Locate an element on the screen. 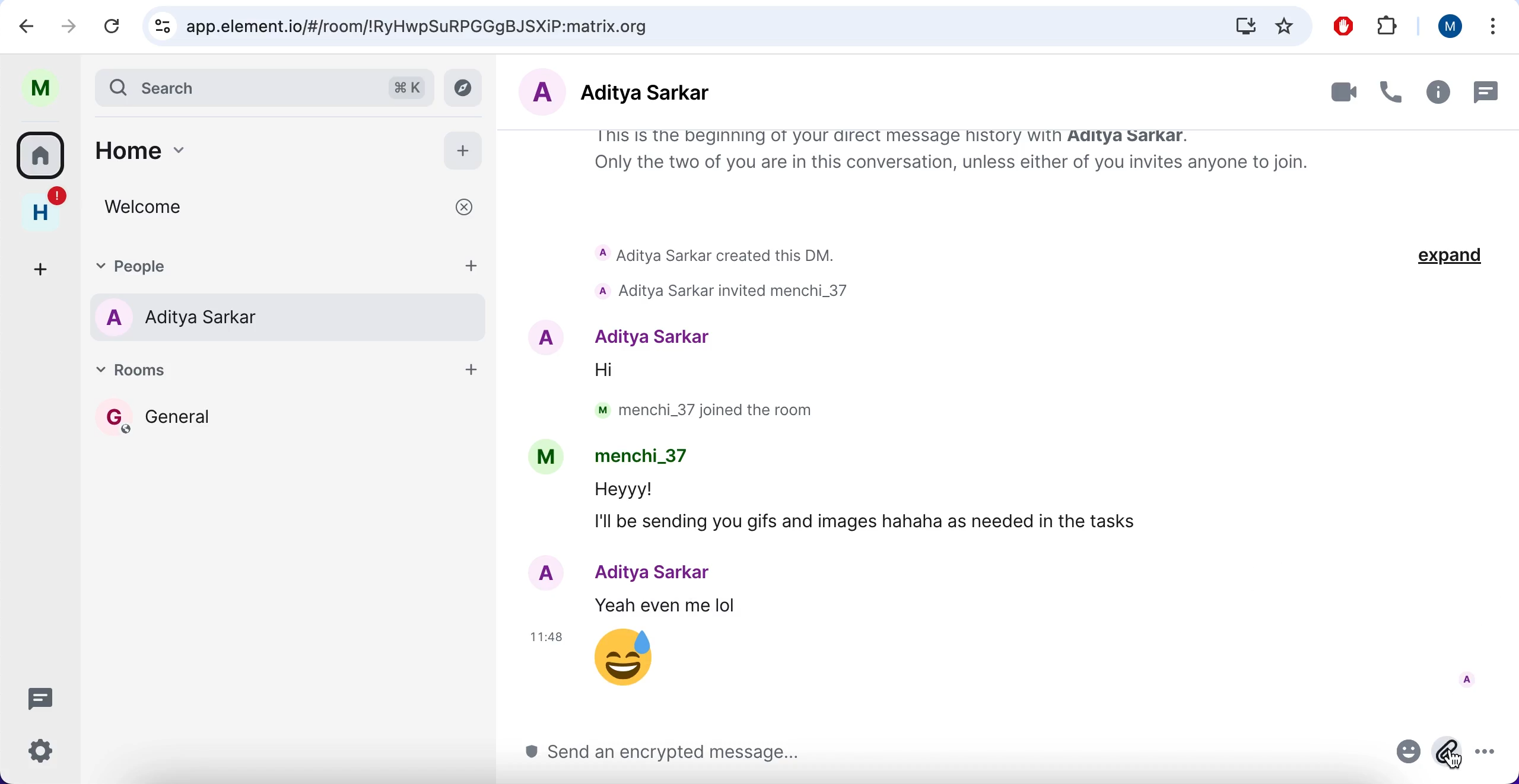 Image resolution: width=1519 pixels, height=784 pixels. rooms is located at coordinates (267, 374).